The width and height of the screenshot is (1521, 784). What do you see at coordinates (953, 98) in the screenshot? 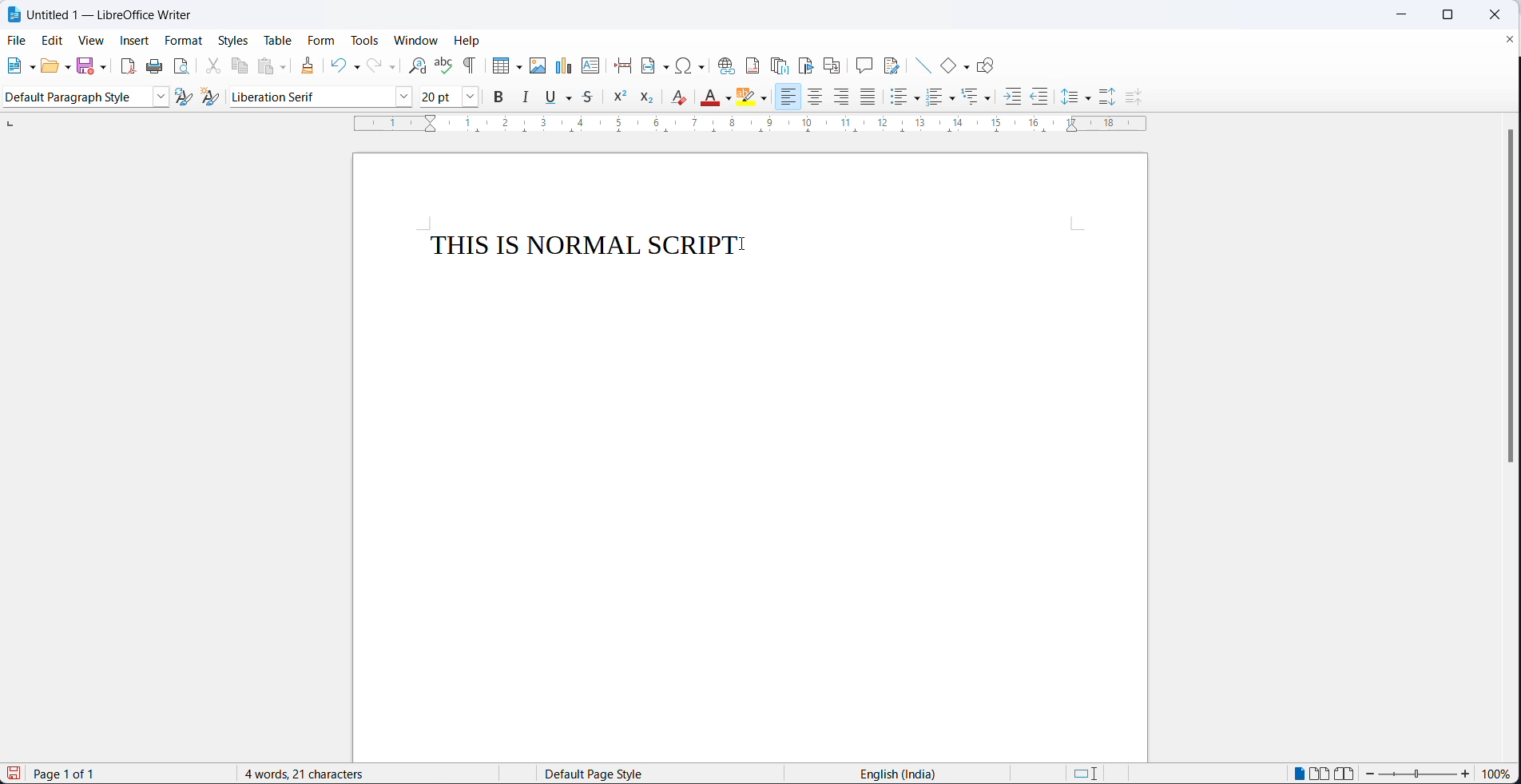
I see `toggle ordered list options` at bounding box center [953, 98].